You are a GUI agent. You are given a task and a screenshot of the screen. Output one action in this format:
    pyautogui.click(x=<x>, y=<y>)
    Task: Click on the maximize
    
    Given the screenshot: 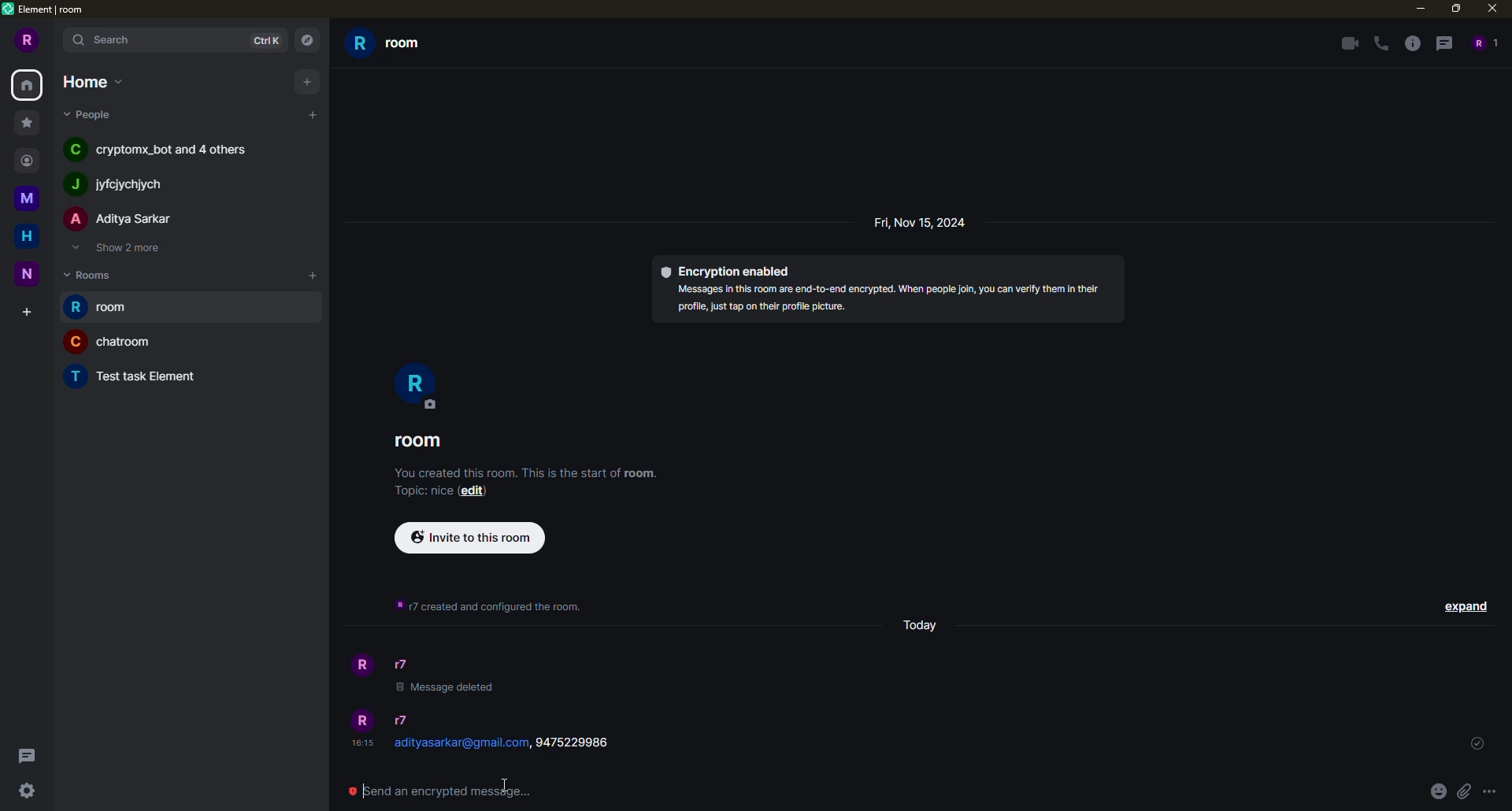 What is the action you would take?
    pyautogui.click(x=1456, y=9)
    